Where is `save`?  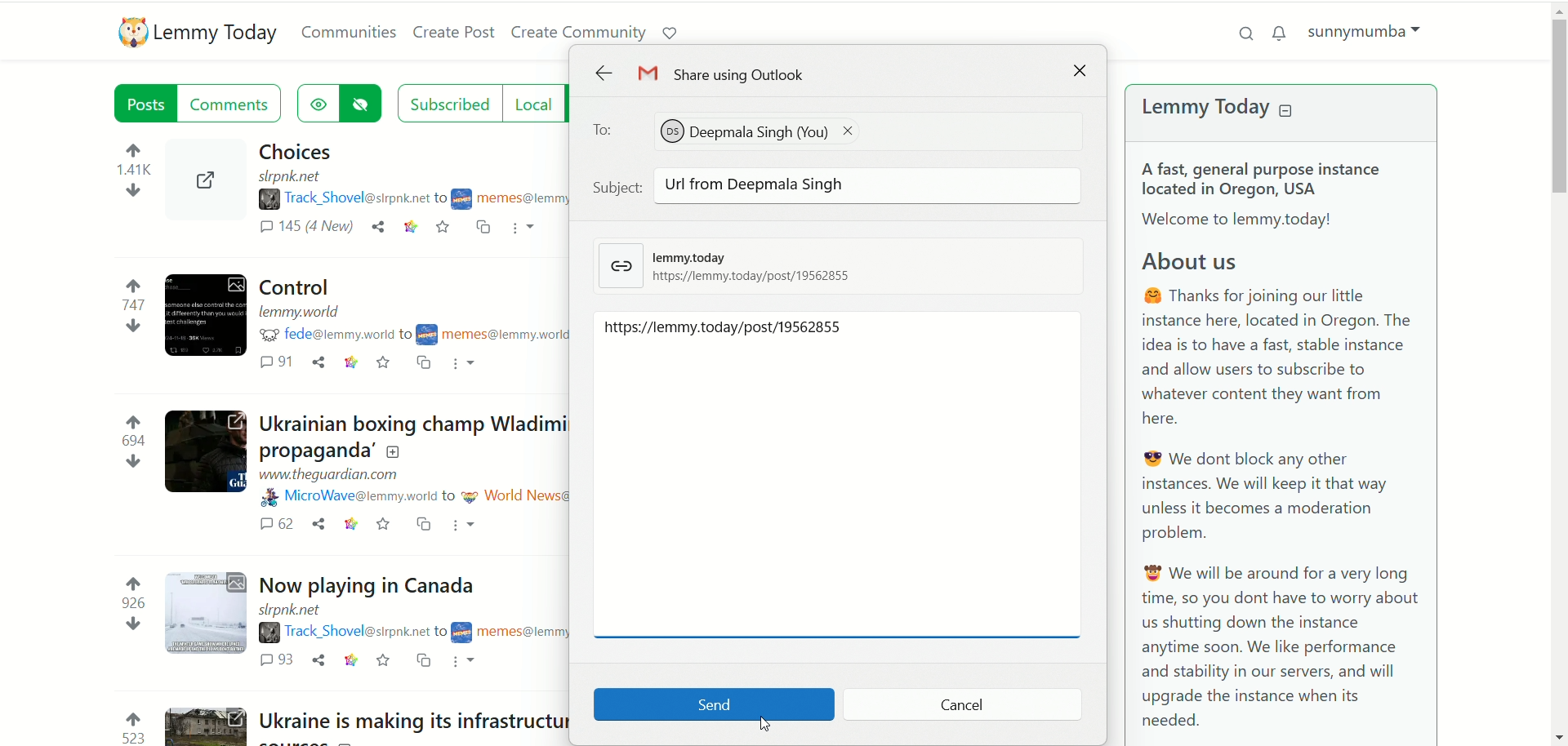
save is located at coordinates (382, 525).